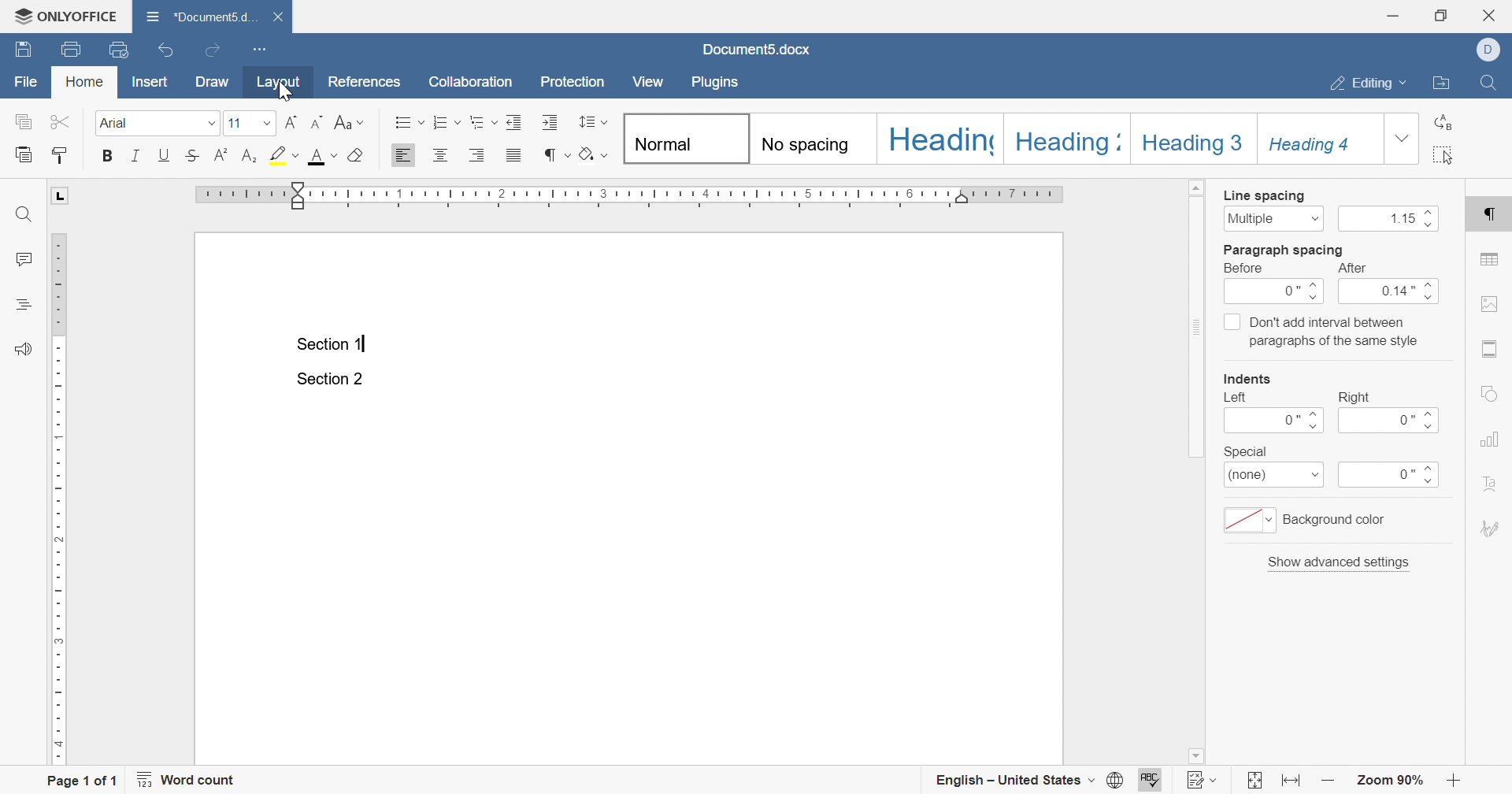 This screenshot has width=1512, height=794. What do you see at coordinates (650, 82) in the screenshot?
I see `view` at bounding box center [650, 82].